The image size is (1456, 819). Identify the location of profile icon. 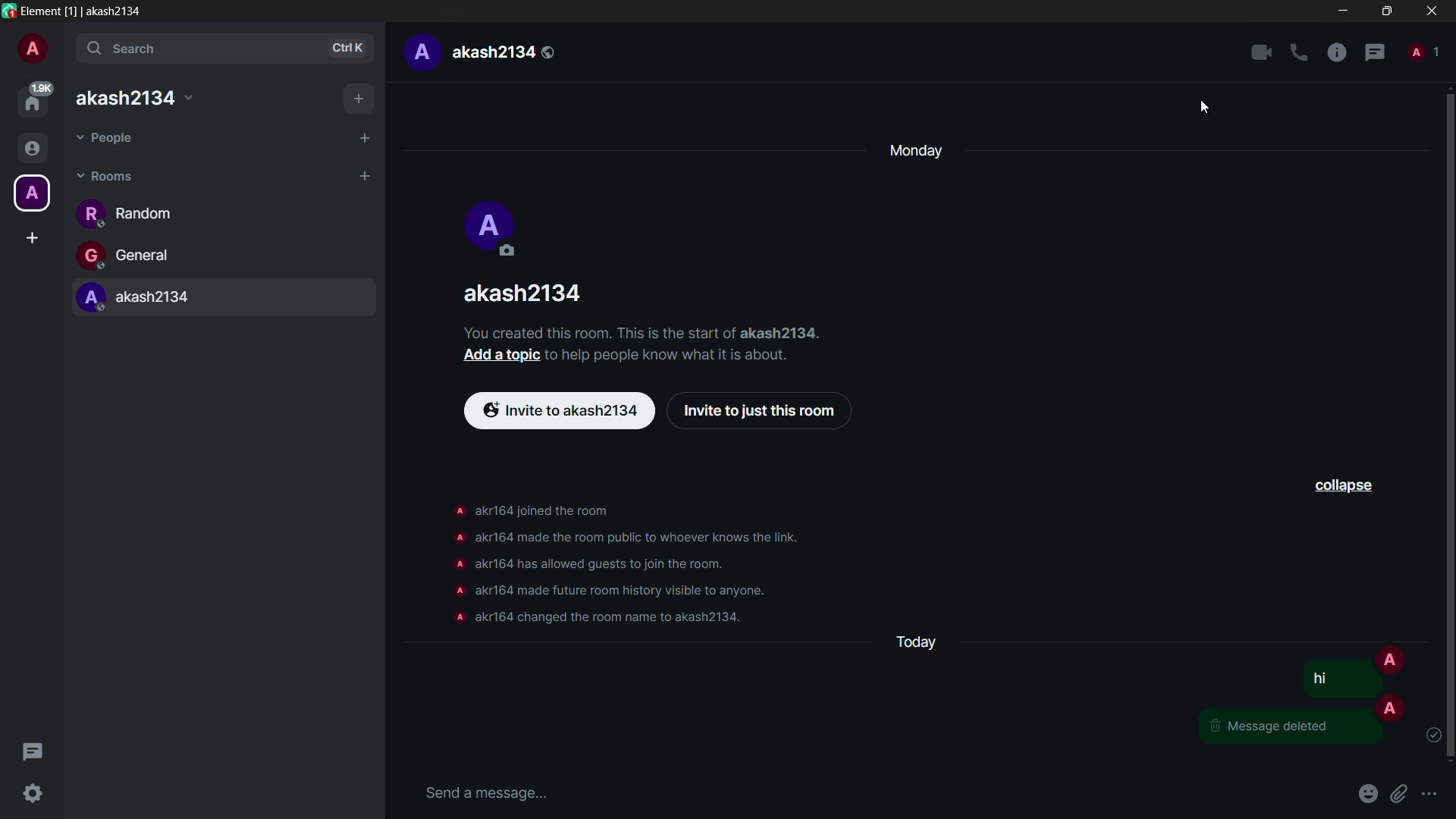
(494, 231).